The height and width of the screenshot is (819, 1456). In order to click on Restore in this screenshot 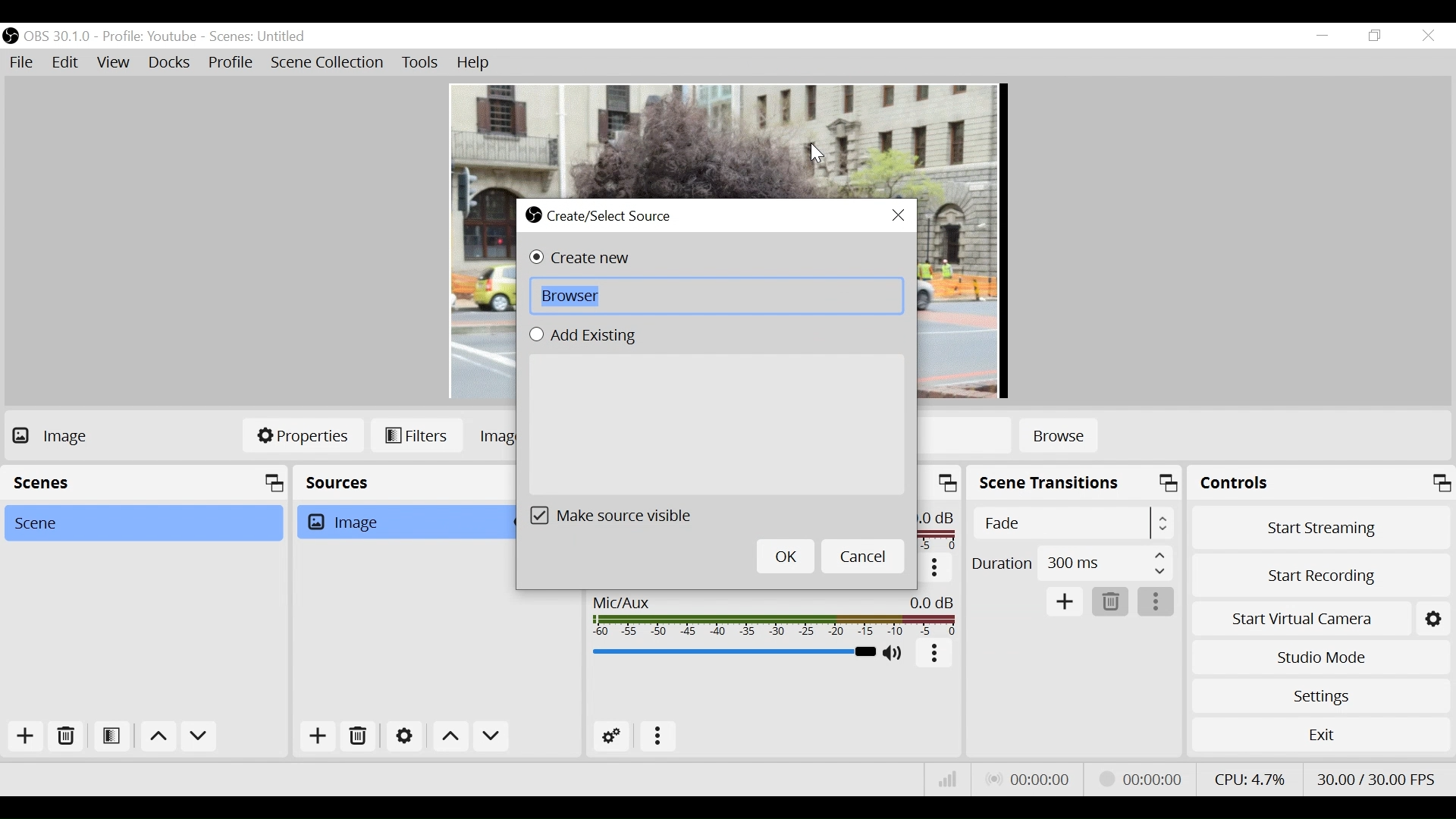, I will do `click(1378, 36)`.